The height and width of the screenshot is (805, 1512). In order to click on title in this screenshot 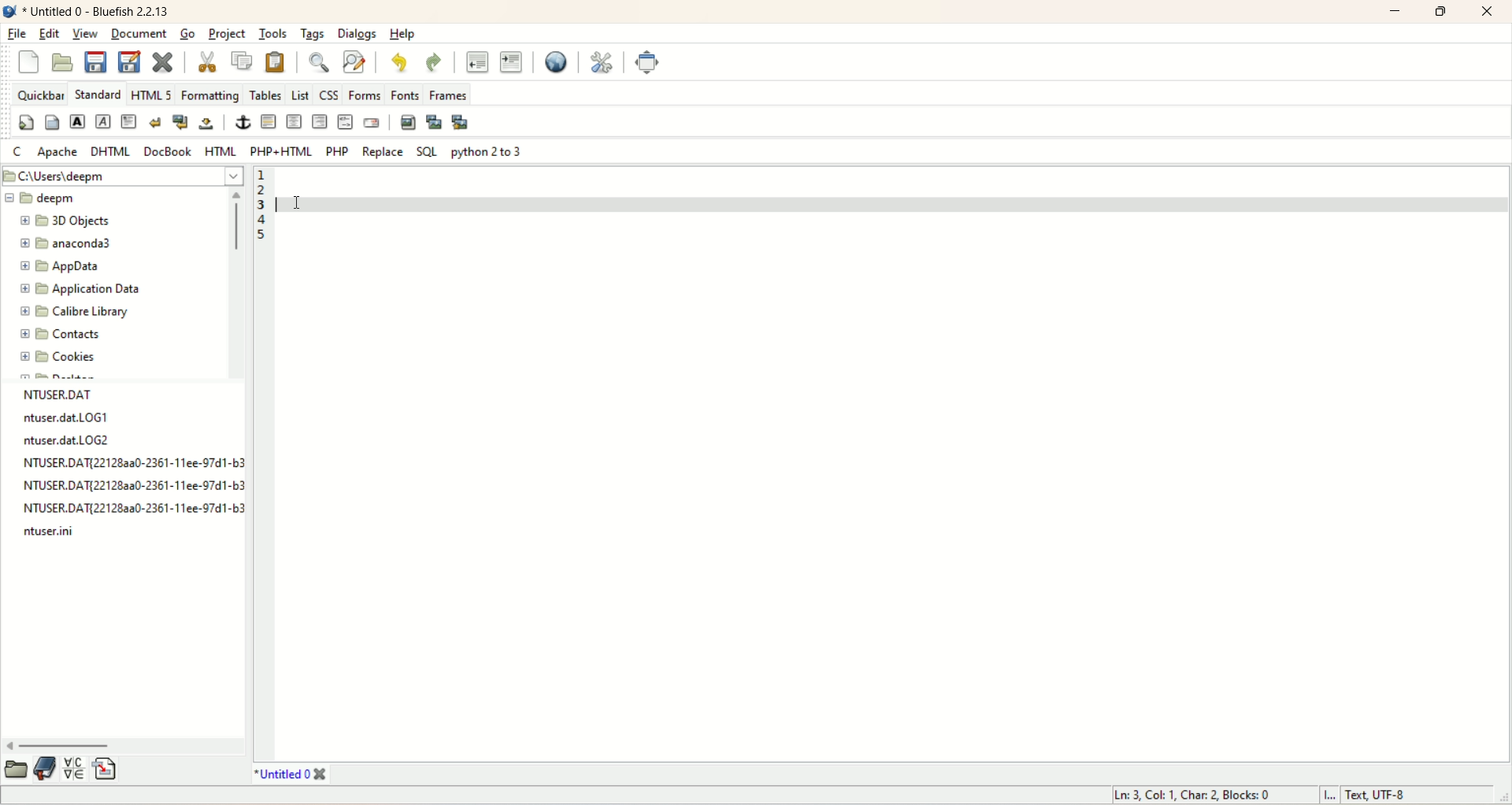, I will do `click(287, 775)`.